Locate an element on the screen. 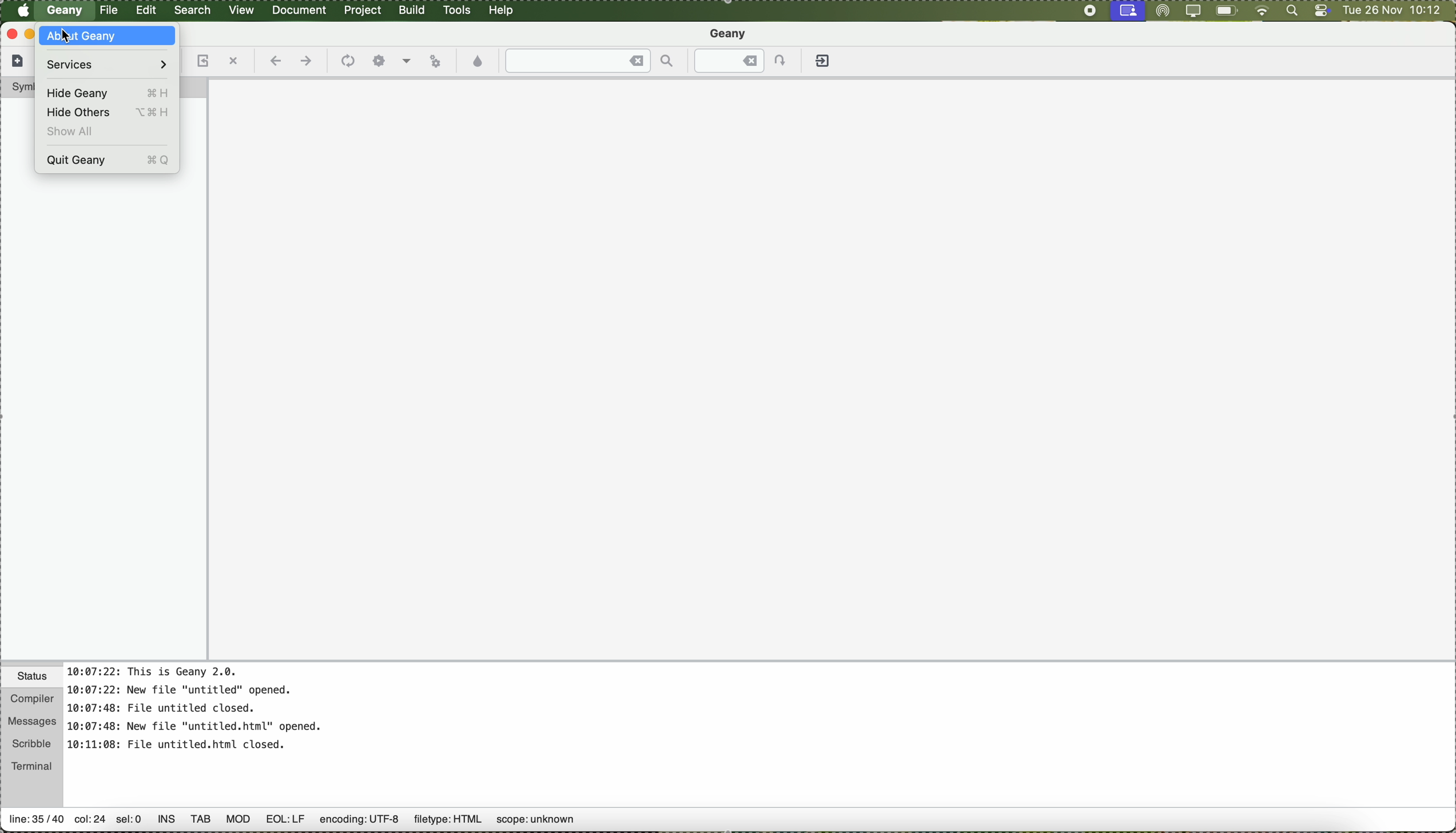 The image size is (1456, 833). stop recording is located at coordinates (1088, 11).